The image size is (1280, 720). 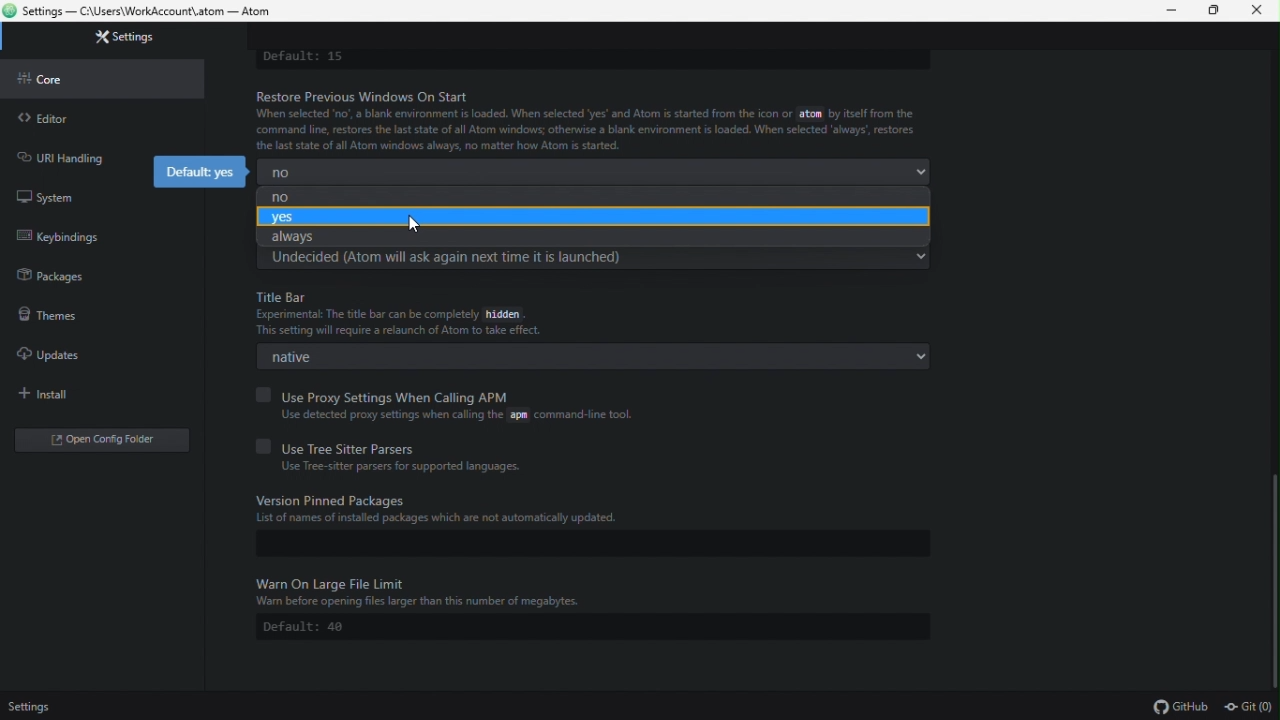 What do you see at coordinates (588, 593) in the screenshot?
I see `‘Warn On Large File Limit Warn before opening files larger than this number of megabytes.` at bounding box center [588, 593].